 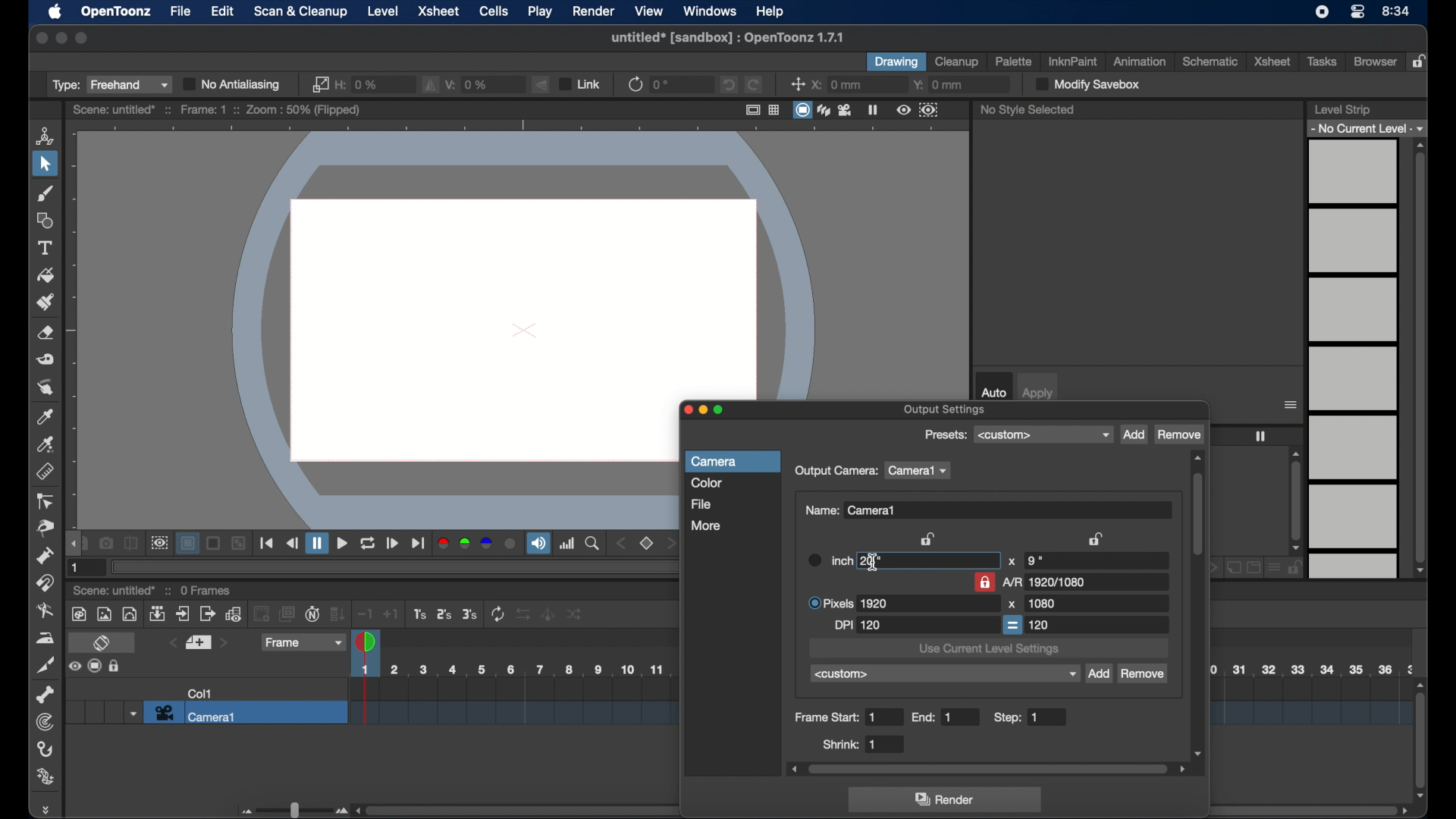 What do you see at coordinates (984, 582) in the screenshot?
I see `lock` at bounding box center [984, 582].